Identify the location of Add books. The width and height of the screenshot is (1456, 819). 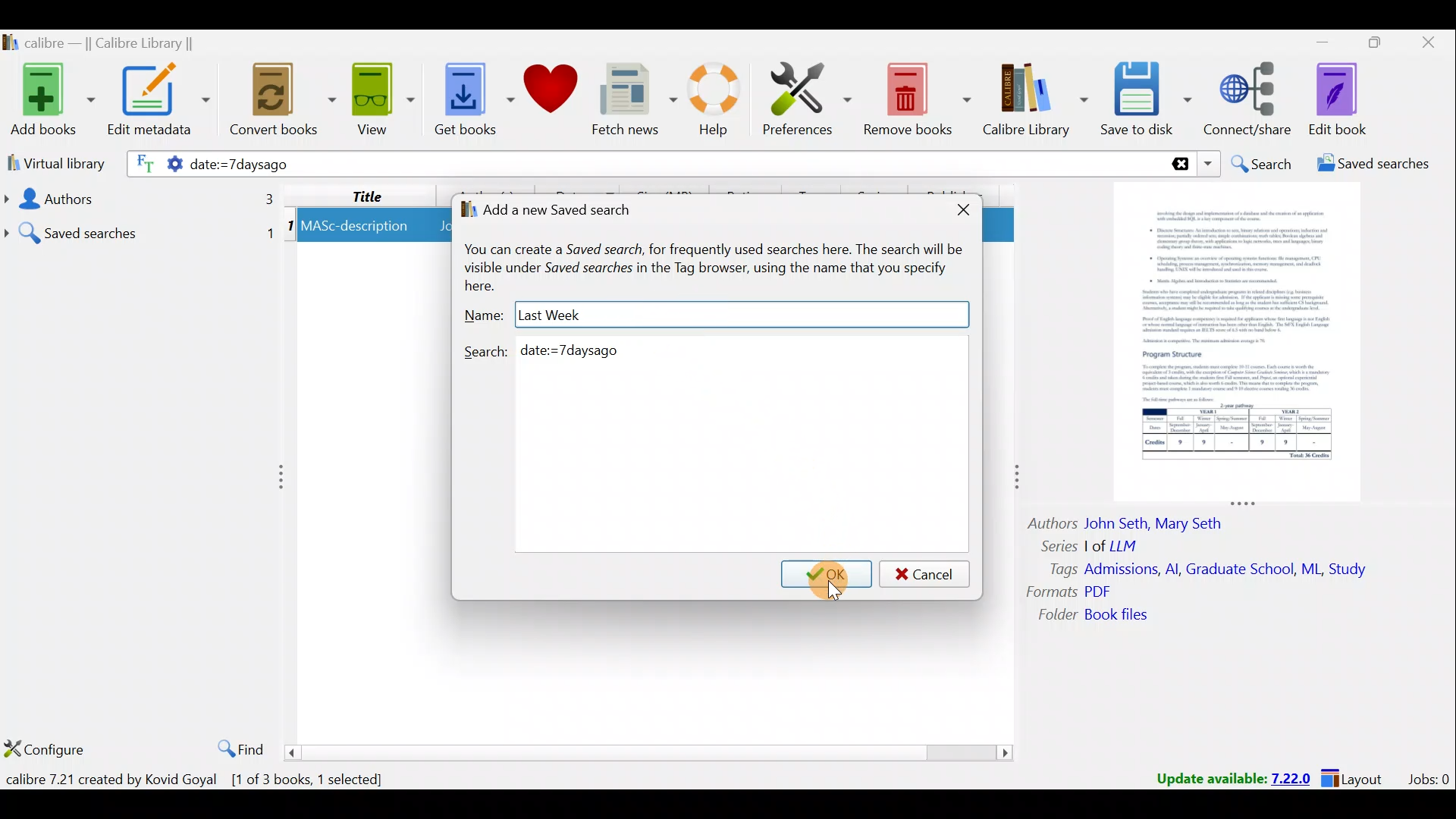
(49, 97).